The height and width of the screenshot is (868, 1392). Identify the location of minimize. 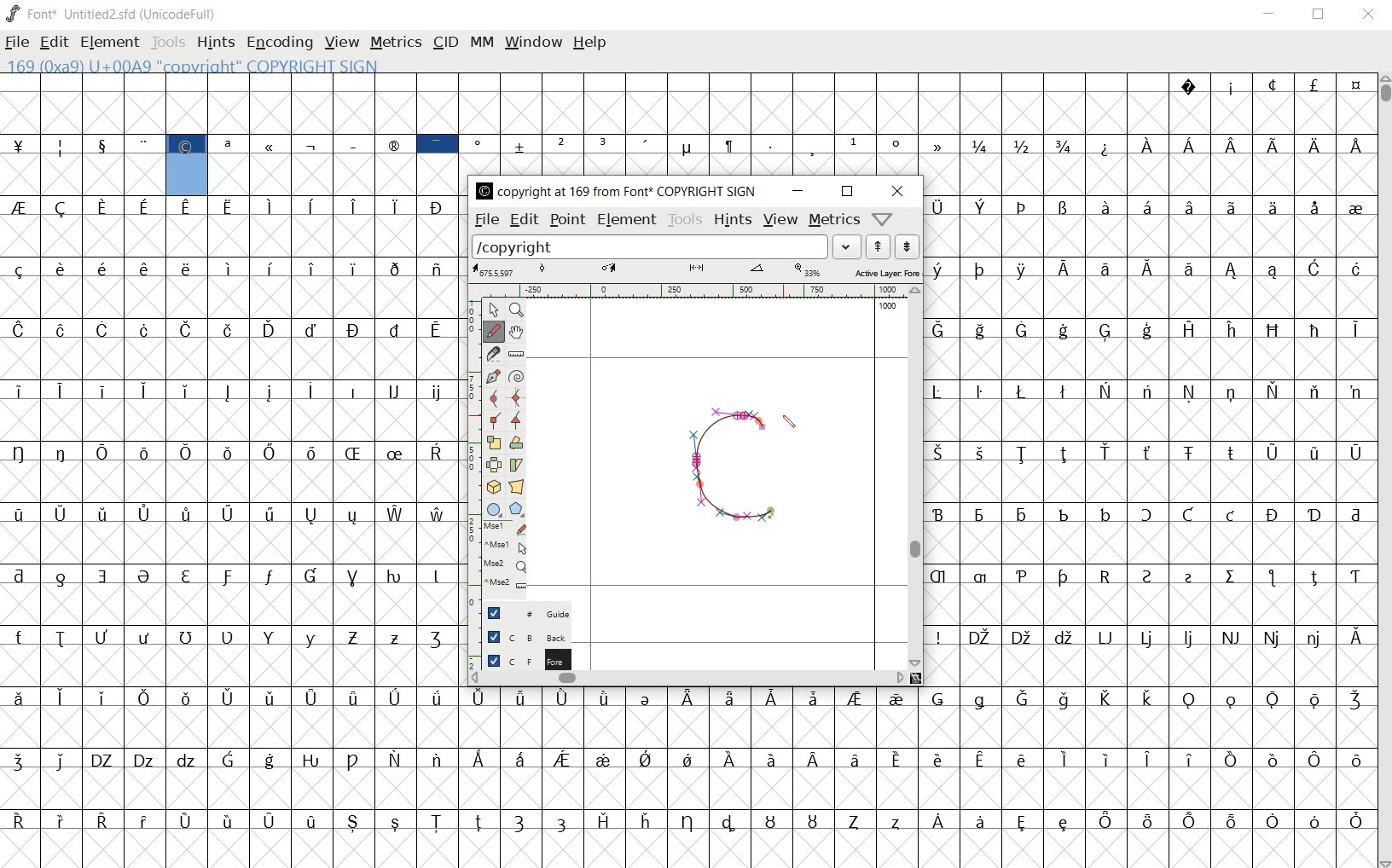
(797, 191).